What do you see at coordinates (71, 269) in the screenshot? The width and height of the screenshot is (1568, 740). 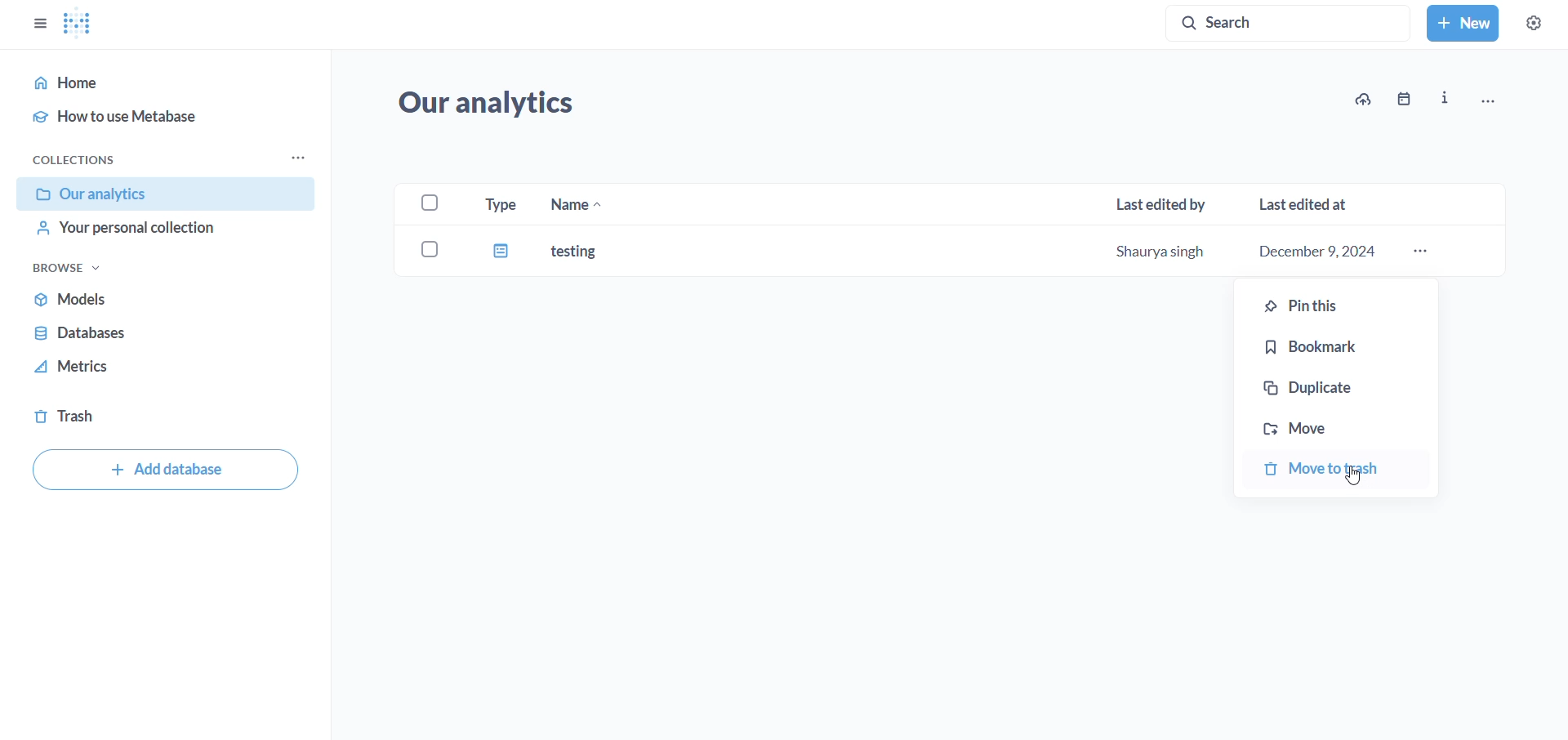 I see `browse` at bounding box center [71, 269].